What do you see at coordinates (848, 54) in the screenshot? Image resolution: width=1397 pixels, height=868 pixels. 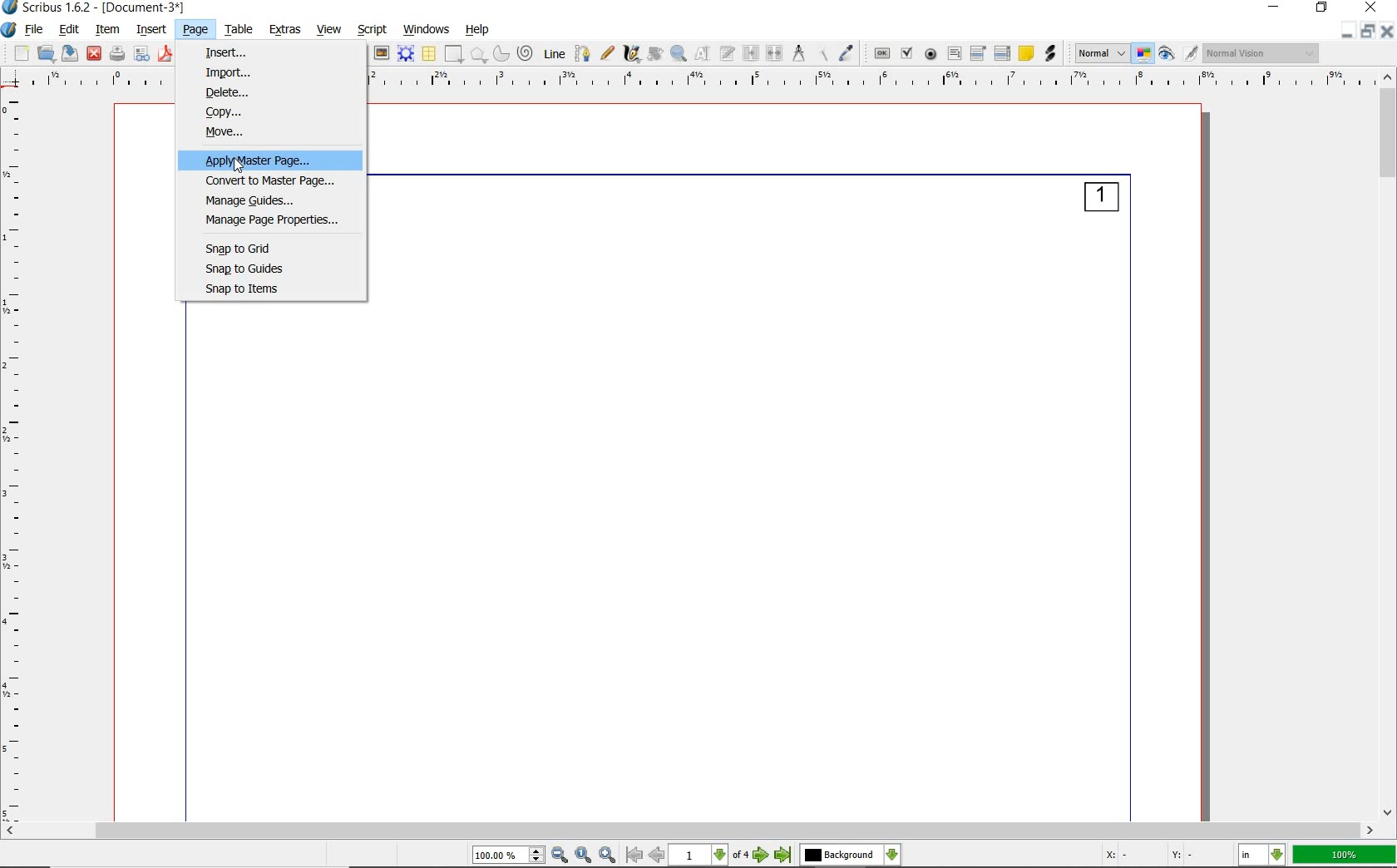 I see `eye dropper` at bounding box center [848, 54].